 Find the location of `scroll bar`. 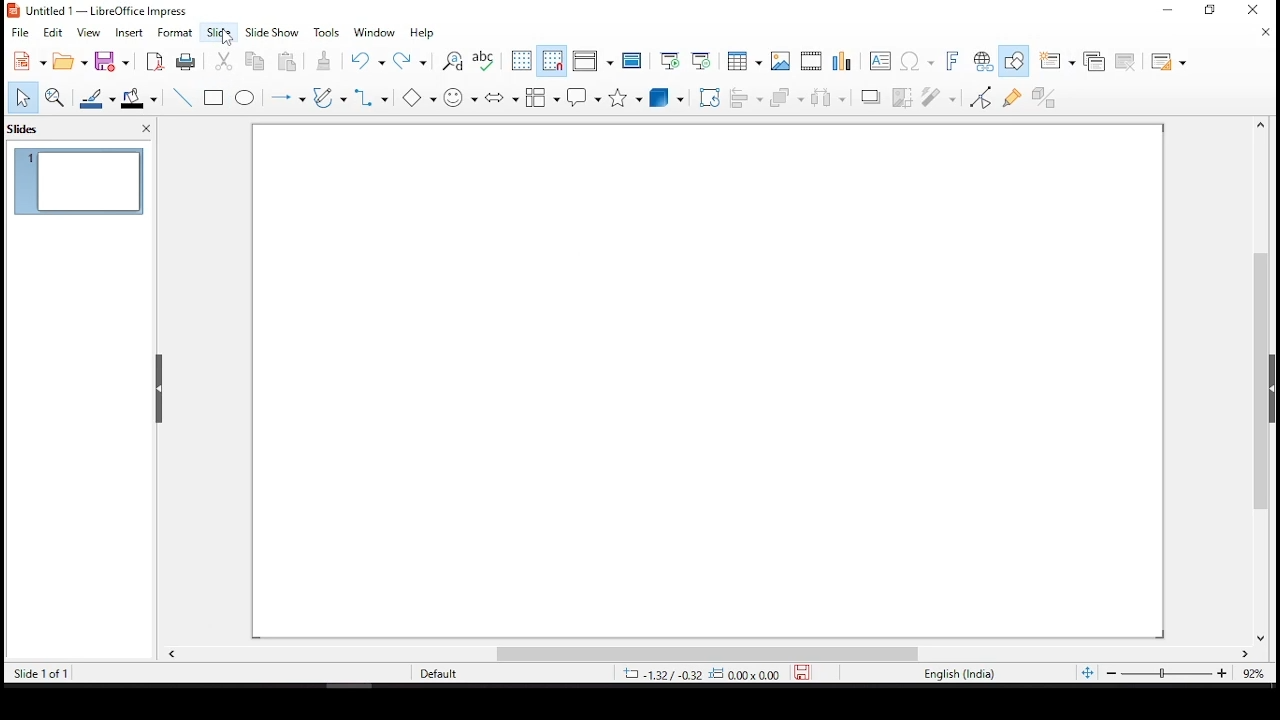

scroll bar is located at coordinates (1268, 380).